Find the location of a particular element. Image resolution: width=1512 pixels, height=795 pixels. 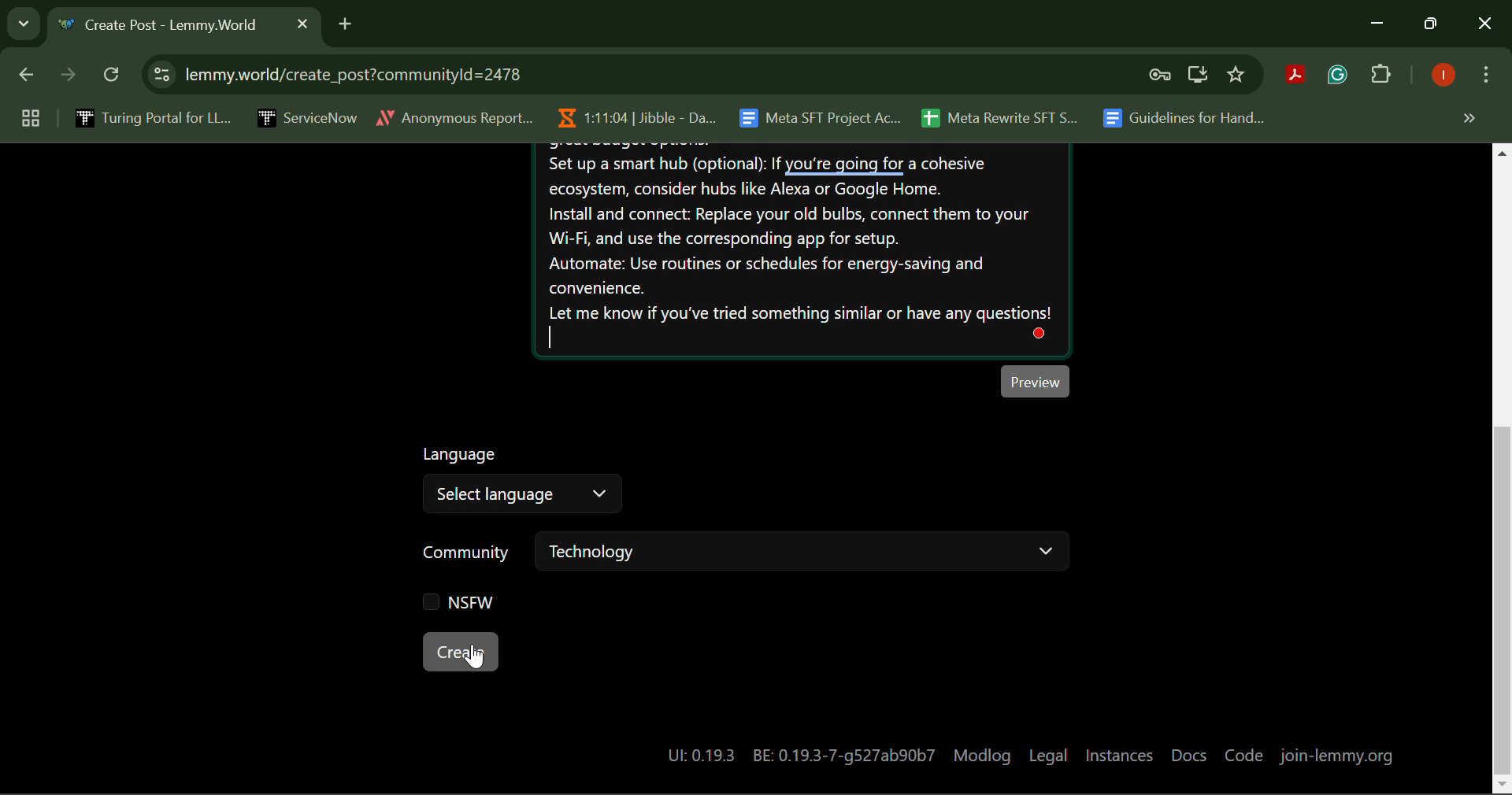

Cursor on Create Button  is located at coordinates (473, 655).